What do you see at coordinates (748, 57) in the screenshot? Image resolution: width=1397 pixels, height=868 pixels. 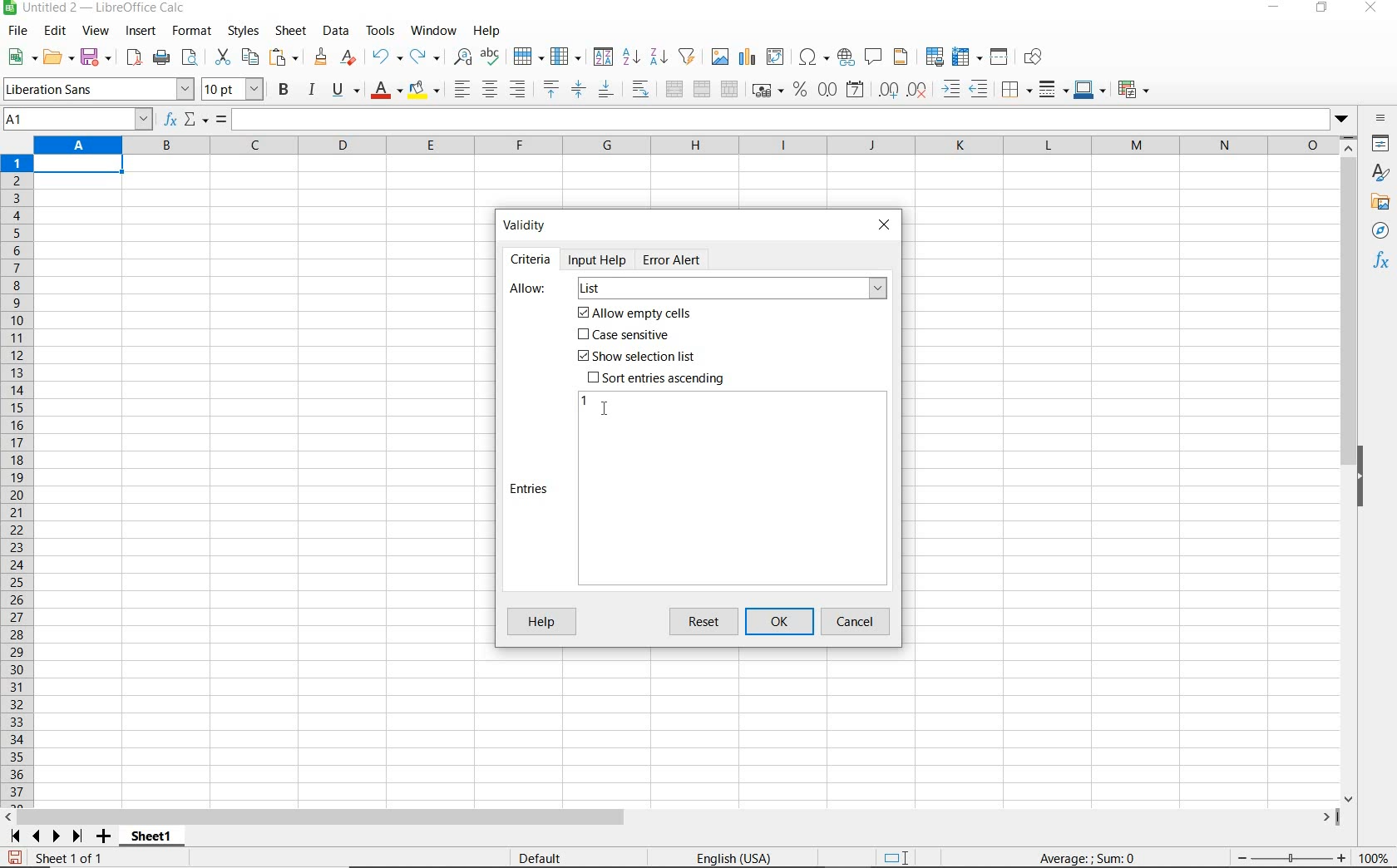 I see `insert chart` at bounding box center [748, 57].